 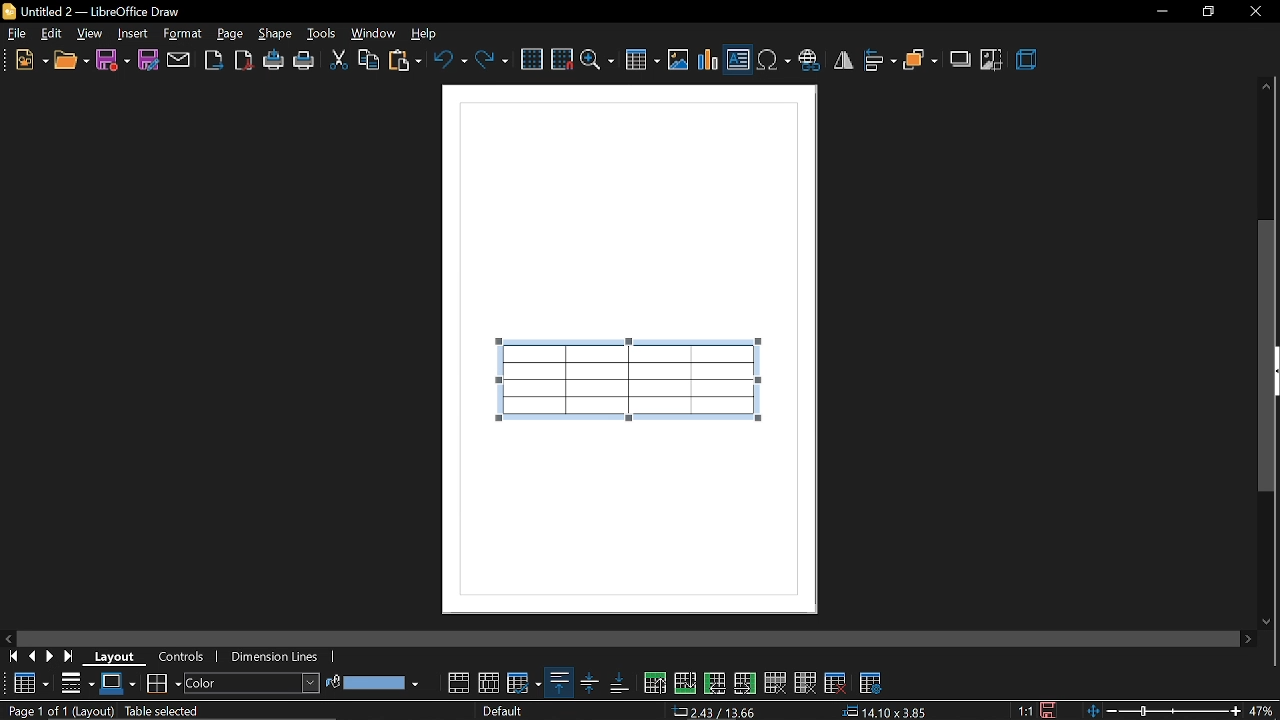 I want to click on previous page, so click(x=32, y=657).